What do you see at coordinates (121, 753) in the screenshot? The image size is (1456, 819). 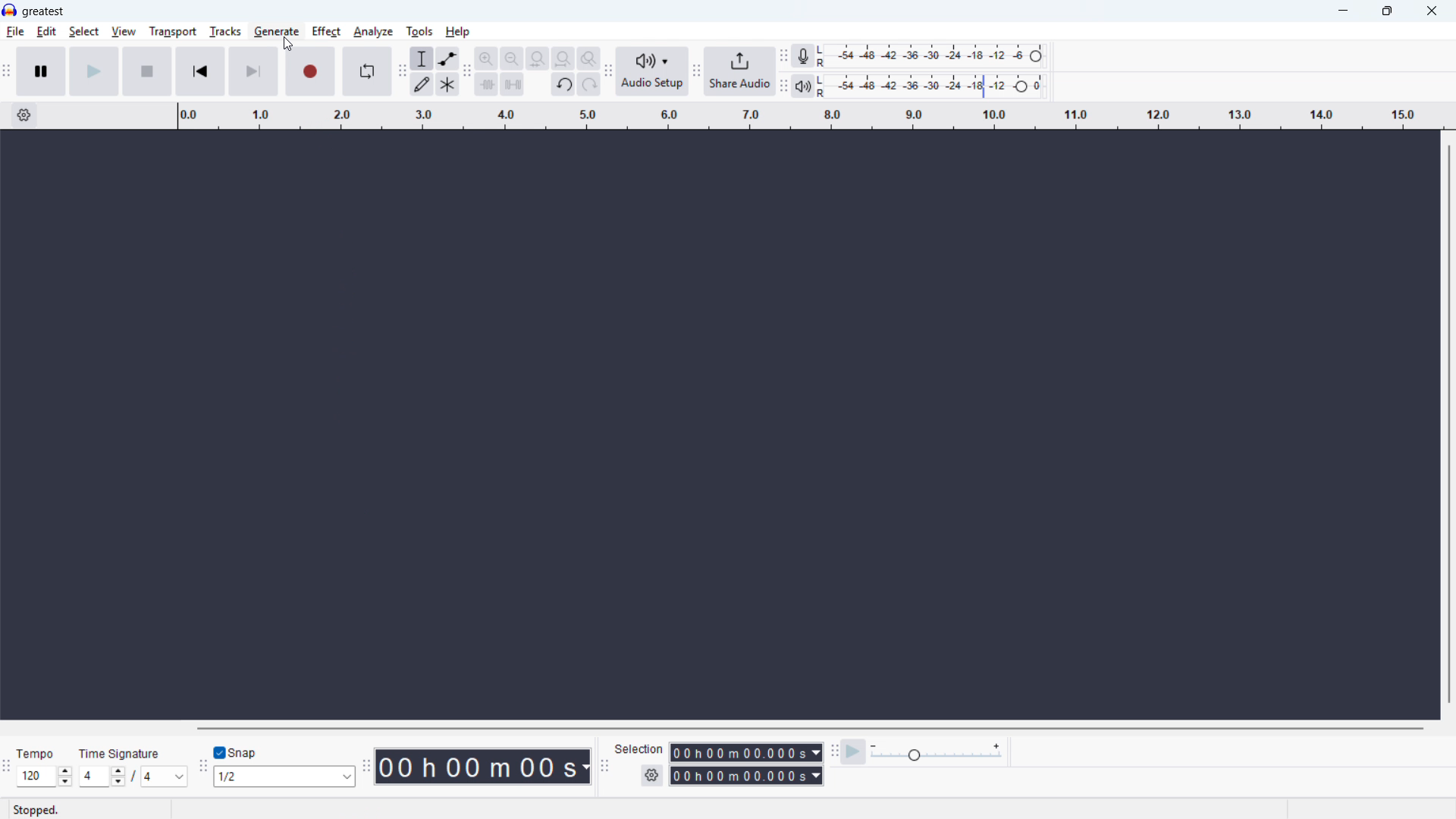 I see `time signature` at bounding box center [121, 753].